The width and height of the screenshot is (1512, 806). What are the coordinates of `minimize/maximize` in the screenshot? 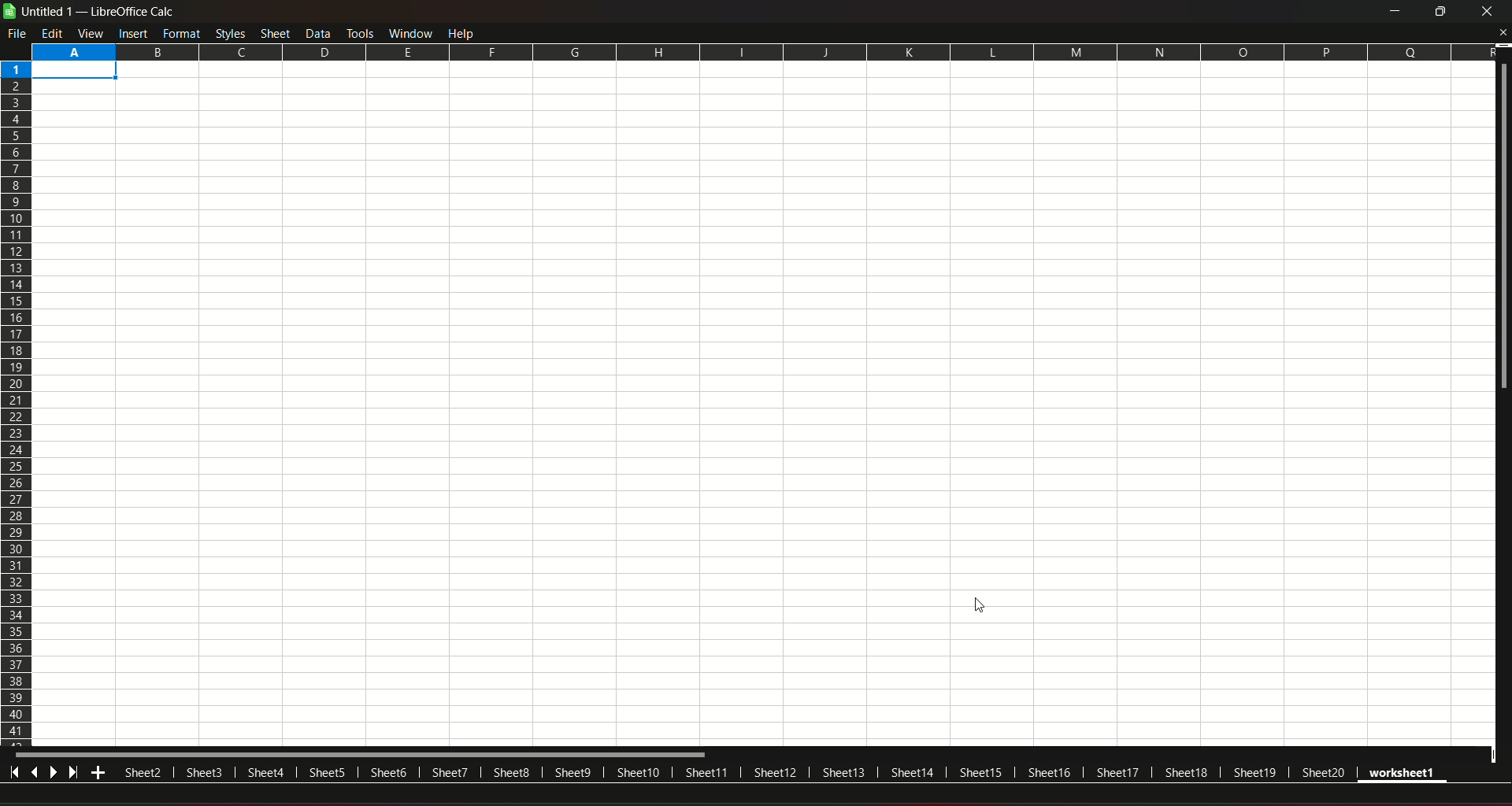 It's located at (1438, 12).